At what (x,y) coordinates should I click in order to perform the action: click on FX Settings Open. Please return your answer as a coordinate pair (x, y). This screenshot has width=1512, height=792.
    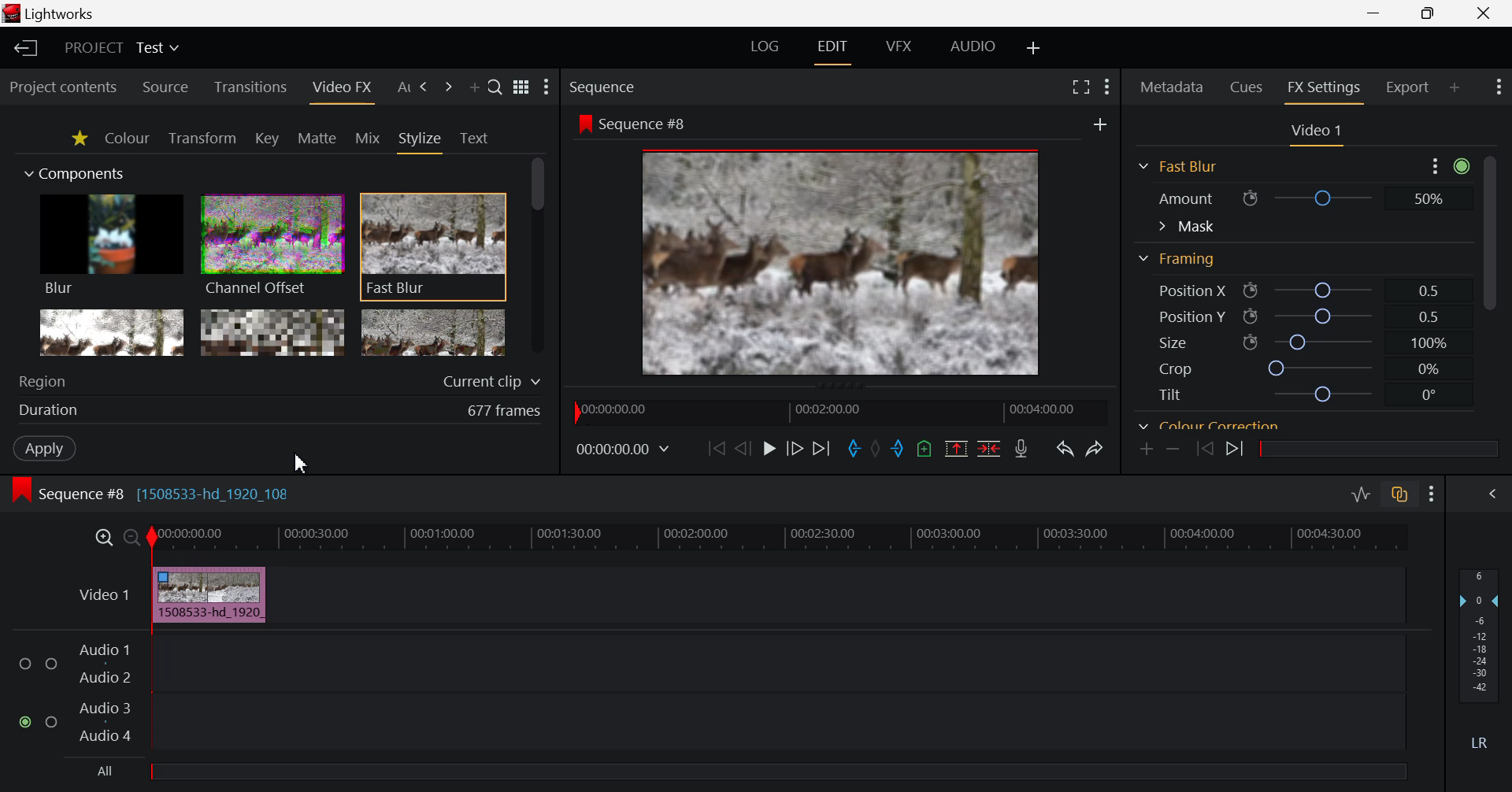
    Looking at the image, I should click on (1324, 91).